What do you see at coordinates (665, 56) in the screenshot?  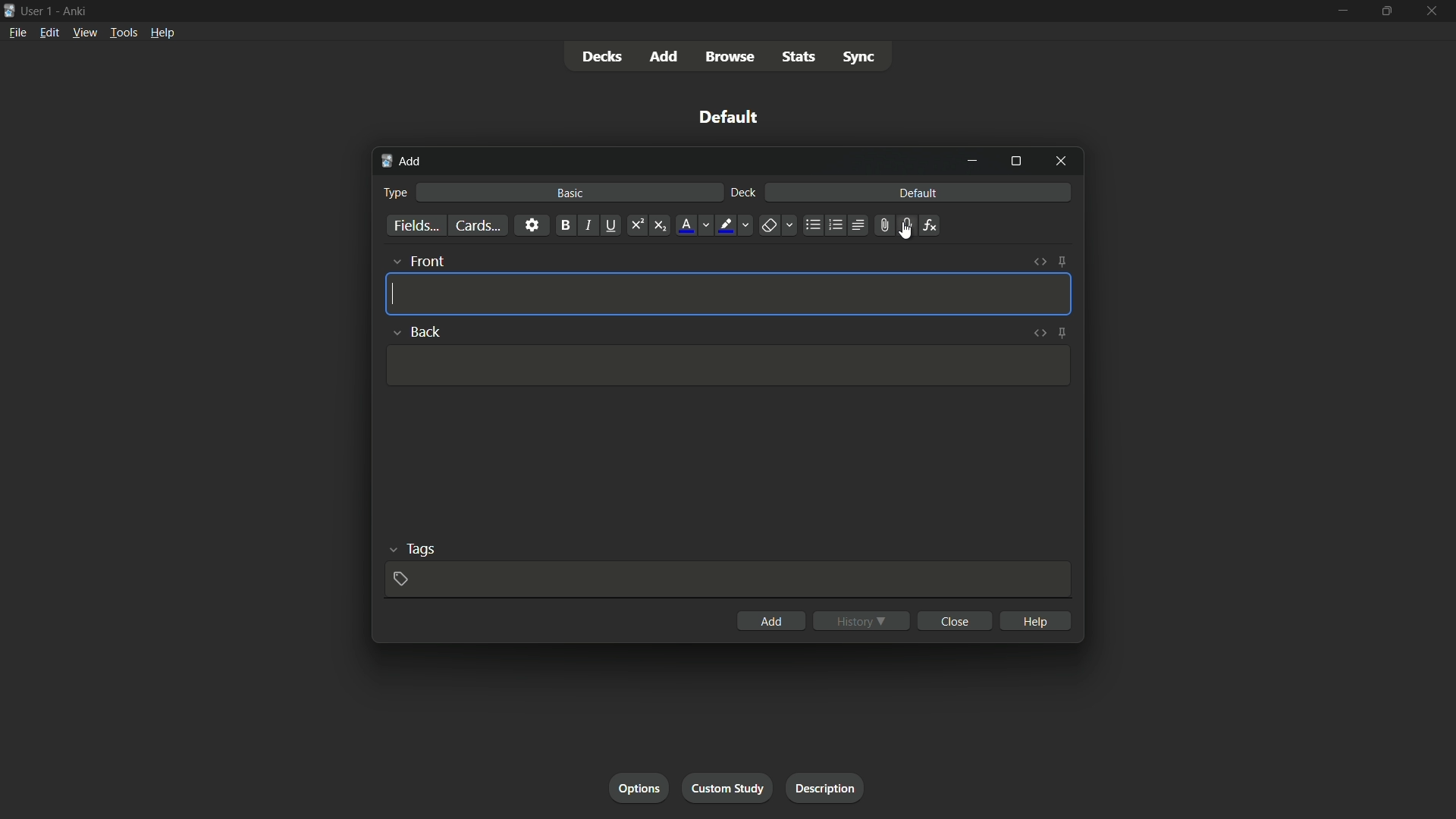 I see `add` at bounding box center [665, 56].